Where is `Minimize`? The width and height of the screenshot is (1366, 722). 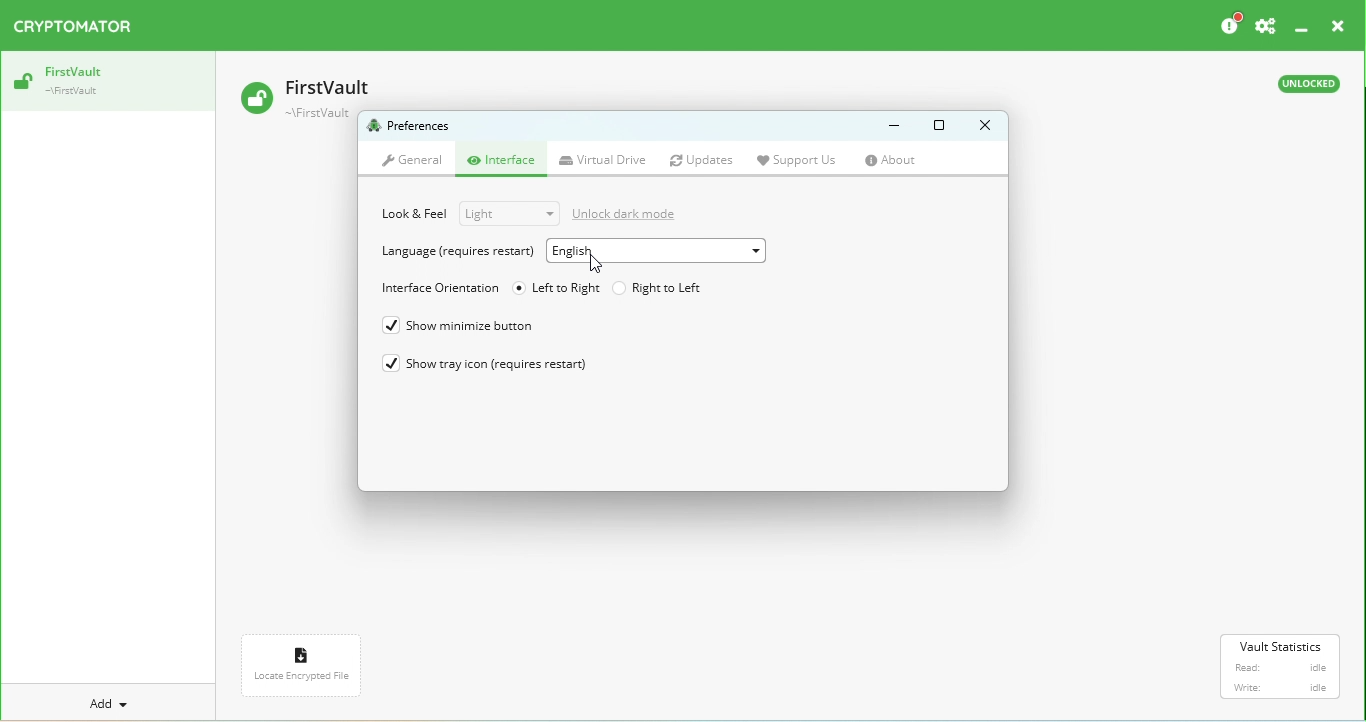 Minimize is located at coordinates (1303, 27).